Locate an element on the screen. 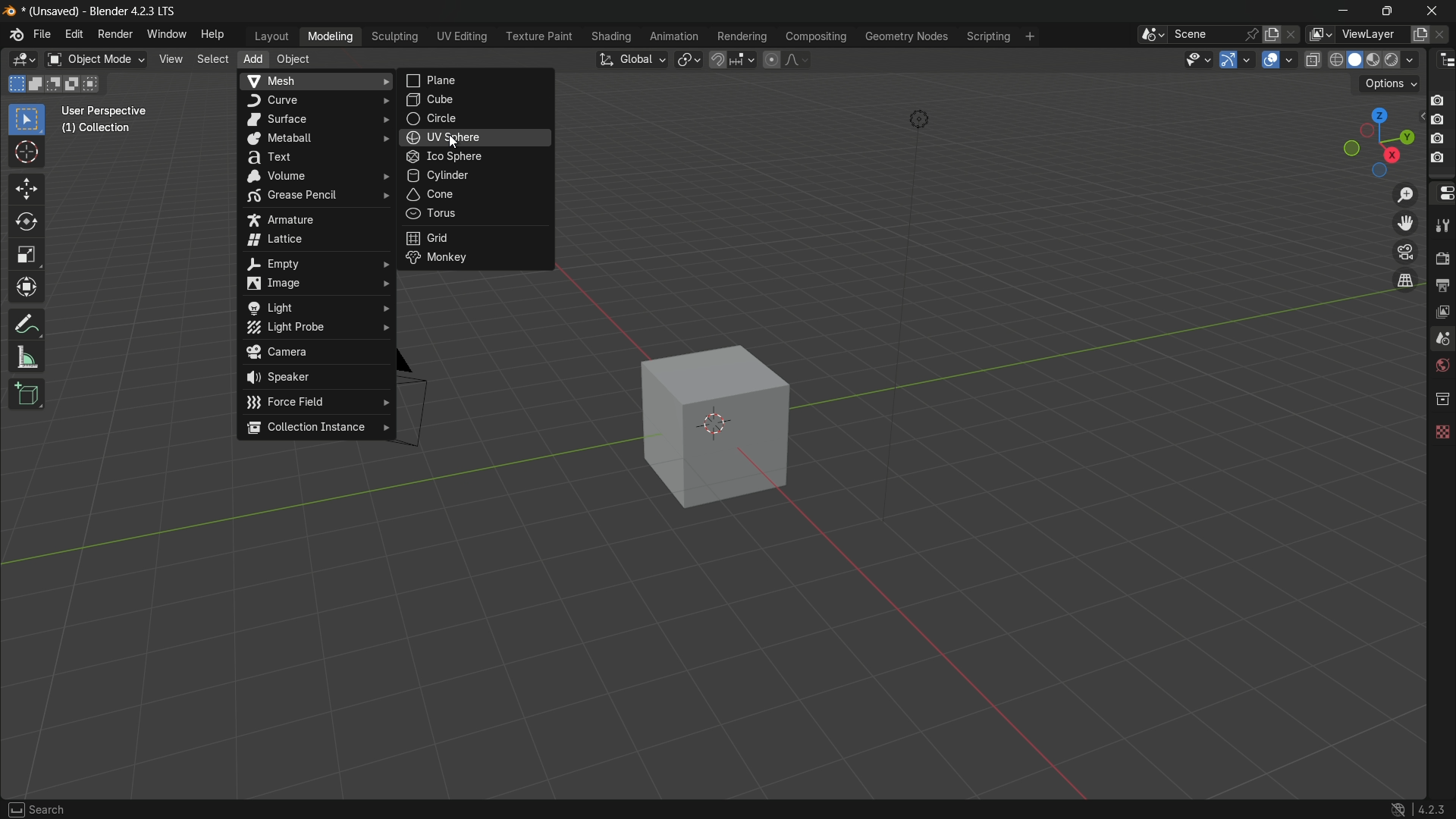  armature is located at coordinates (315, 218).